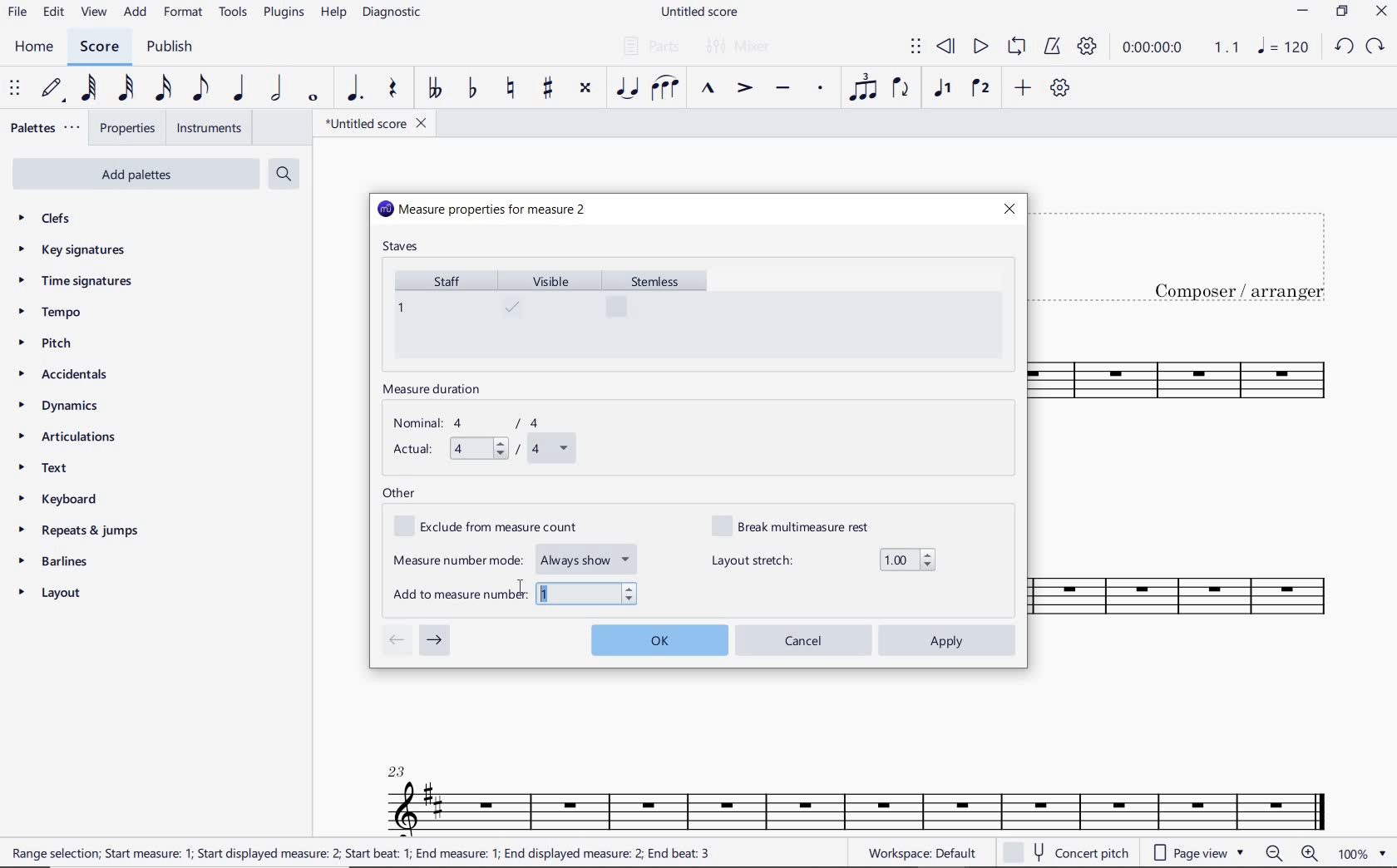 The image size is (1397, 868). Describe the element at coordinates (15, 90) in the screenshot. I see `SELECET TO MOVE` at that location.